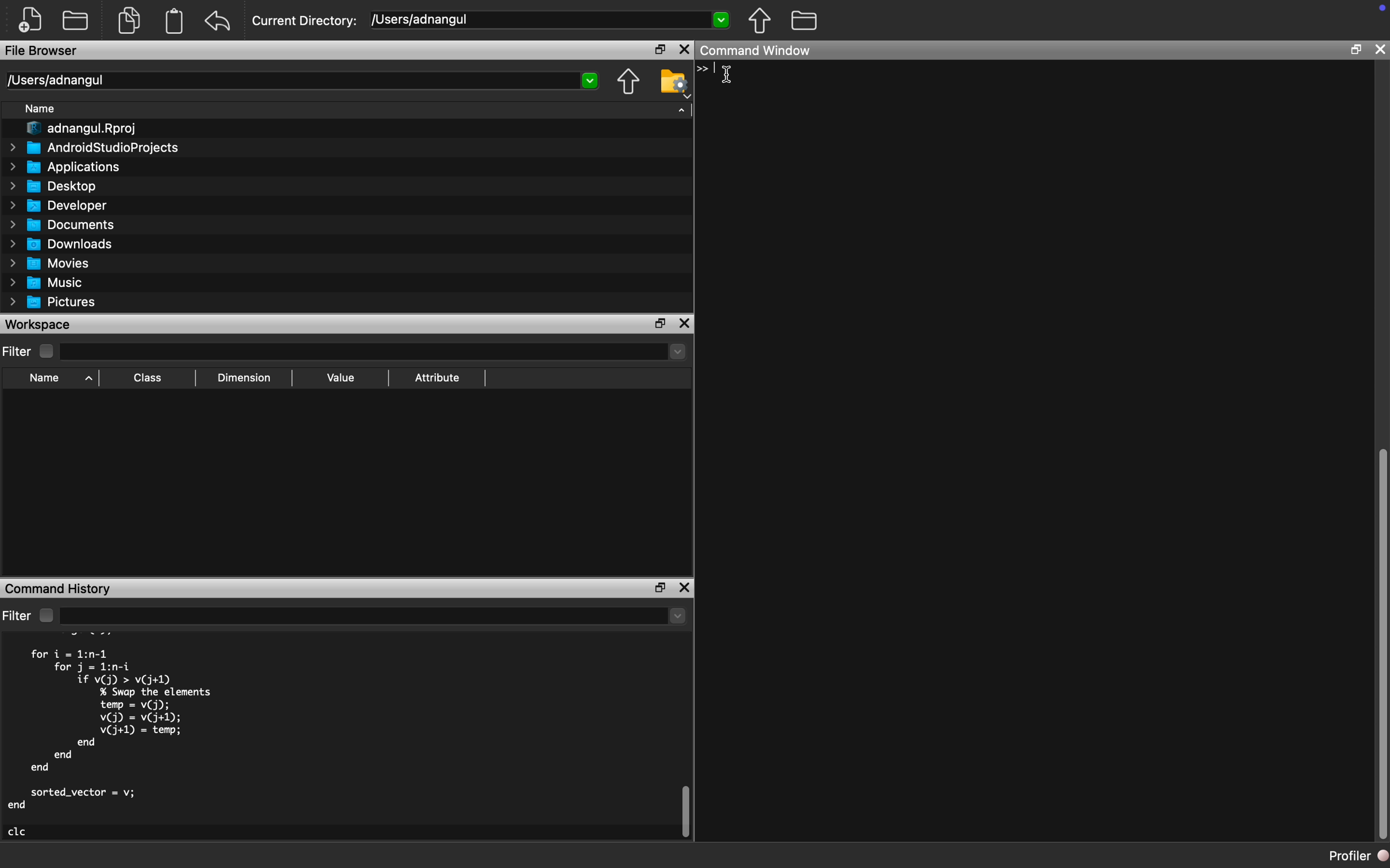 The image size is (1390, 868). I want to click on Restore Down, so click(659, 49).